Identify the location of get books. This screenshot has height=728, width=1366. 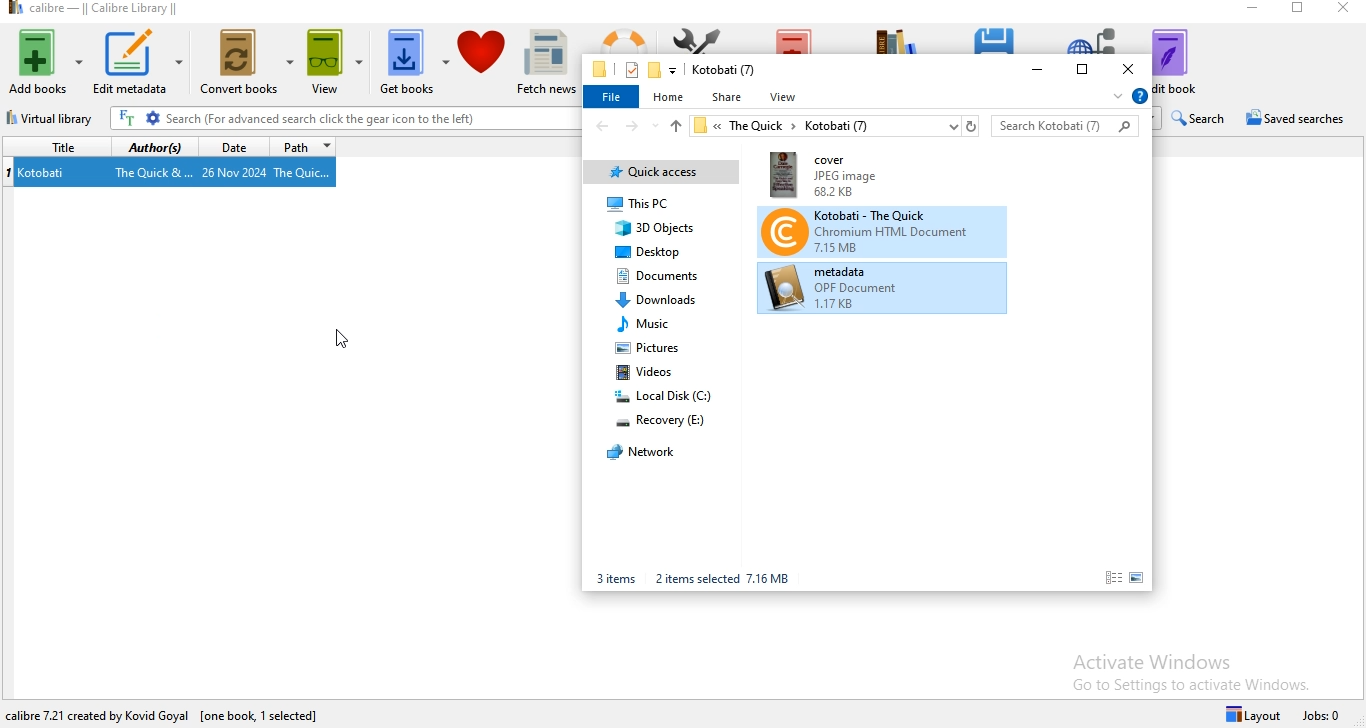
(413, 62).